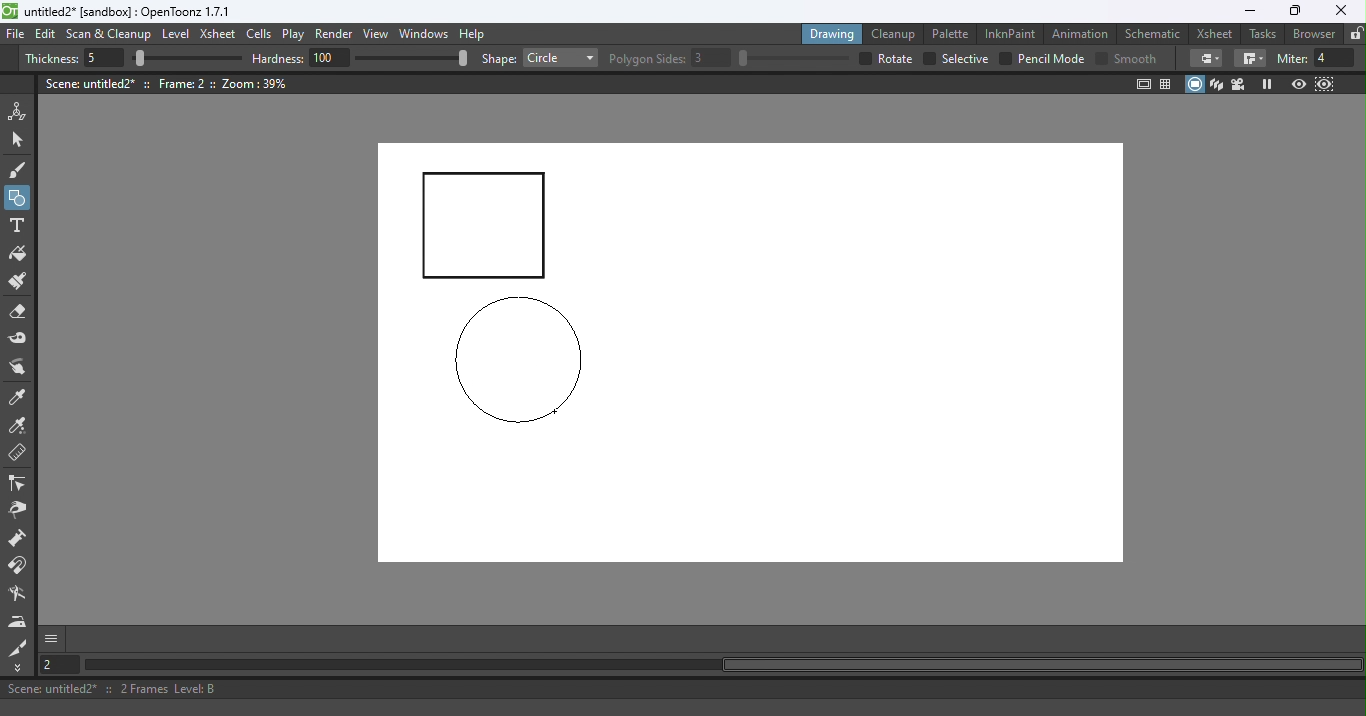 The width and height of the screenshot is (1366, 716). I want to click on checkbox, so click(1005, 58).